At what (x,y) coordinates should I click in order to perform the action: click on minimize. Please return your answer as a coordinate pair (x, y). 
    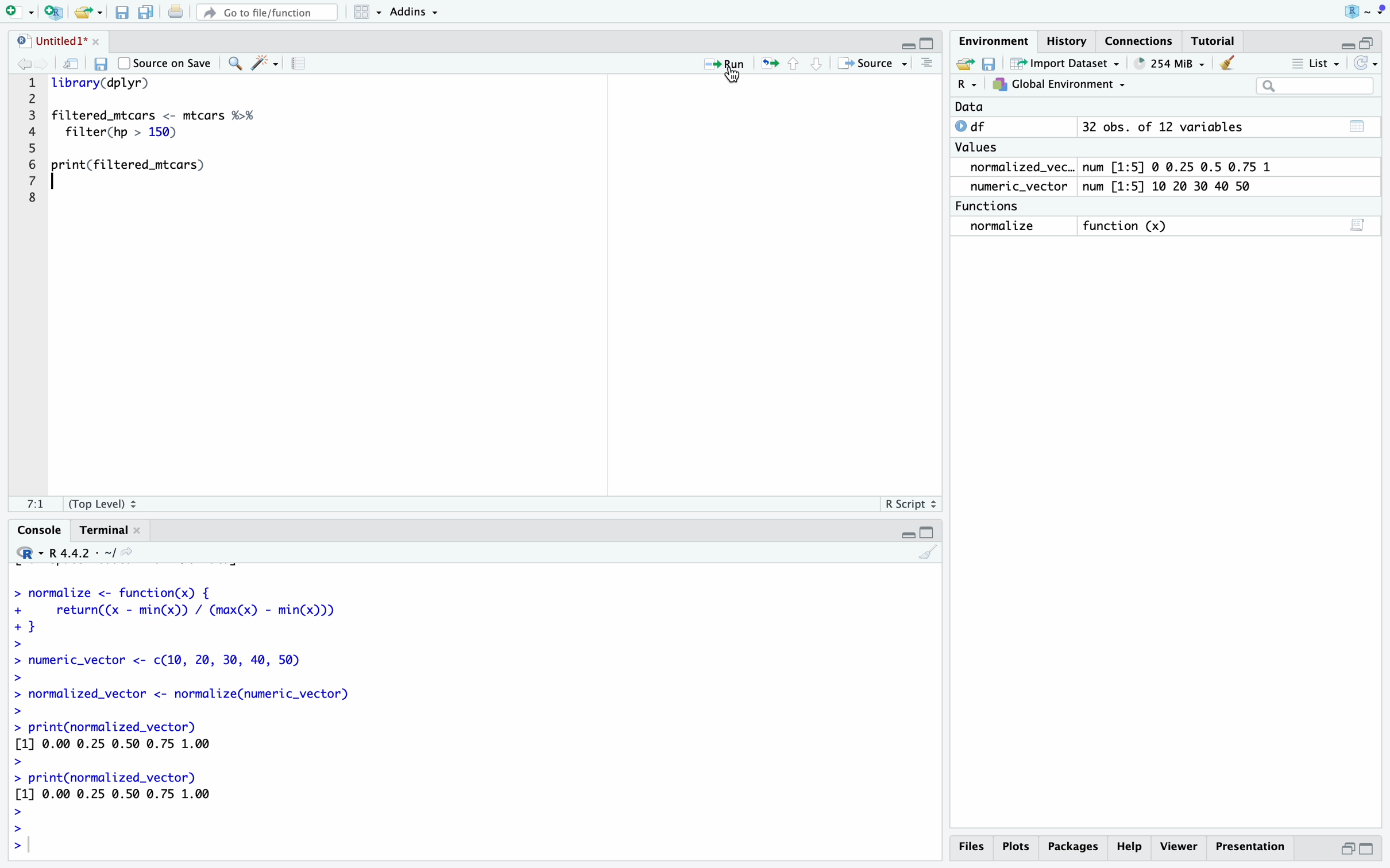
    Looking at the image, I should click on (1347, 848).